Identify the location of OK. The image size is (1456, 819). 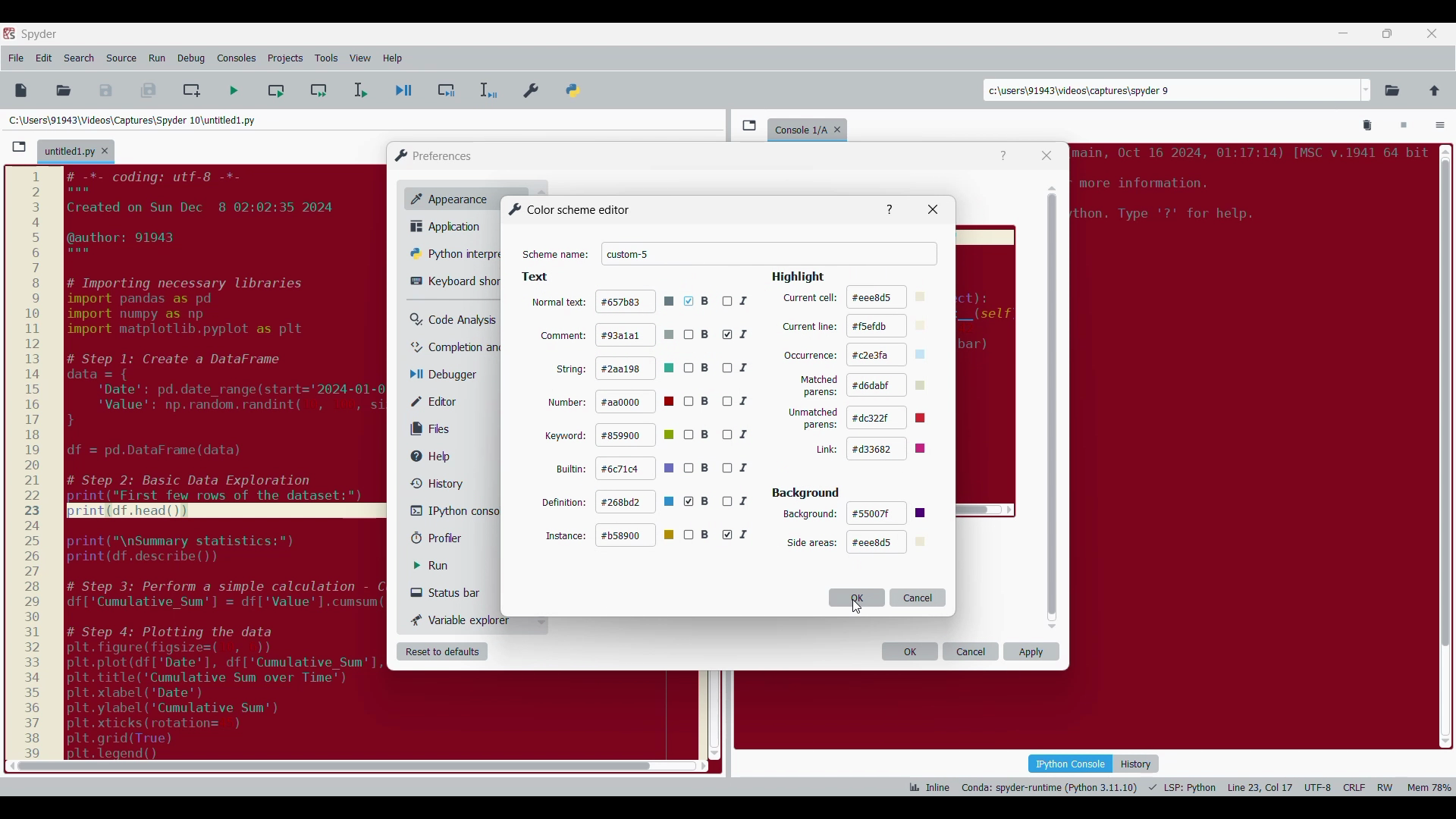
(910, 651).